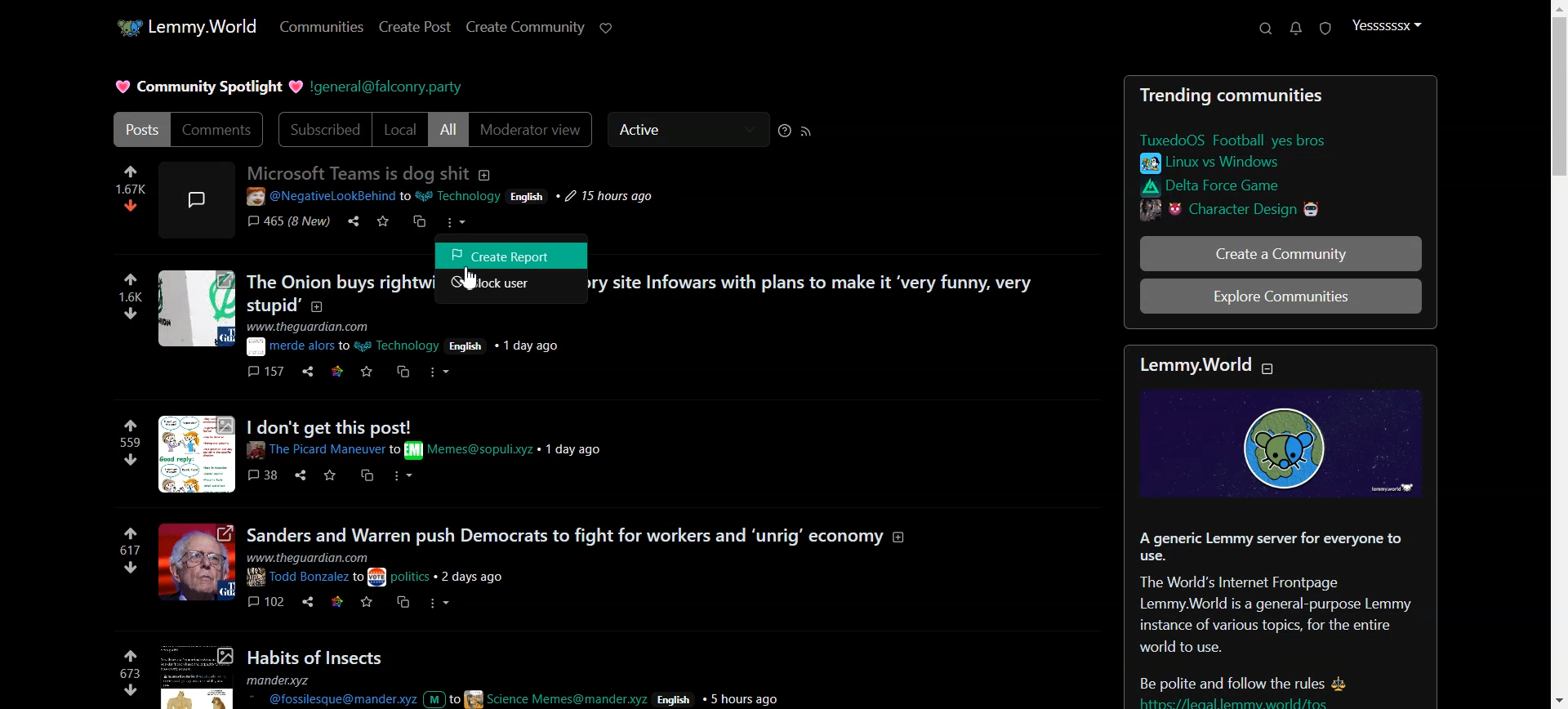 This screenshot has width=1568, height=709. Describe the element at coordinates (687, 130) in the screenshot. I see `Active` at that location.